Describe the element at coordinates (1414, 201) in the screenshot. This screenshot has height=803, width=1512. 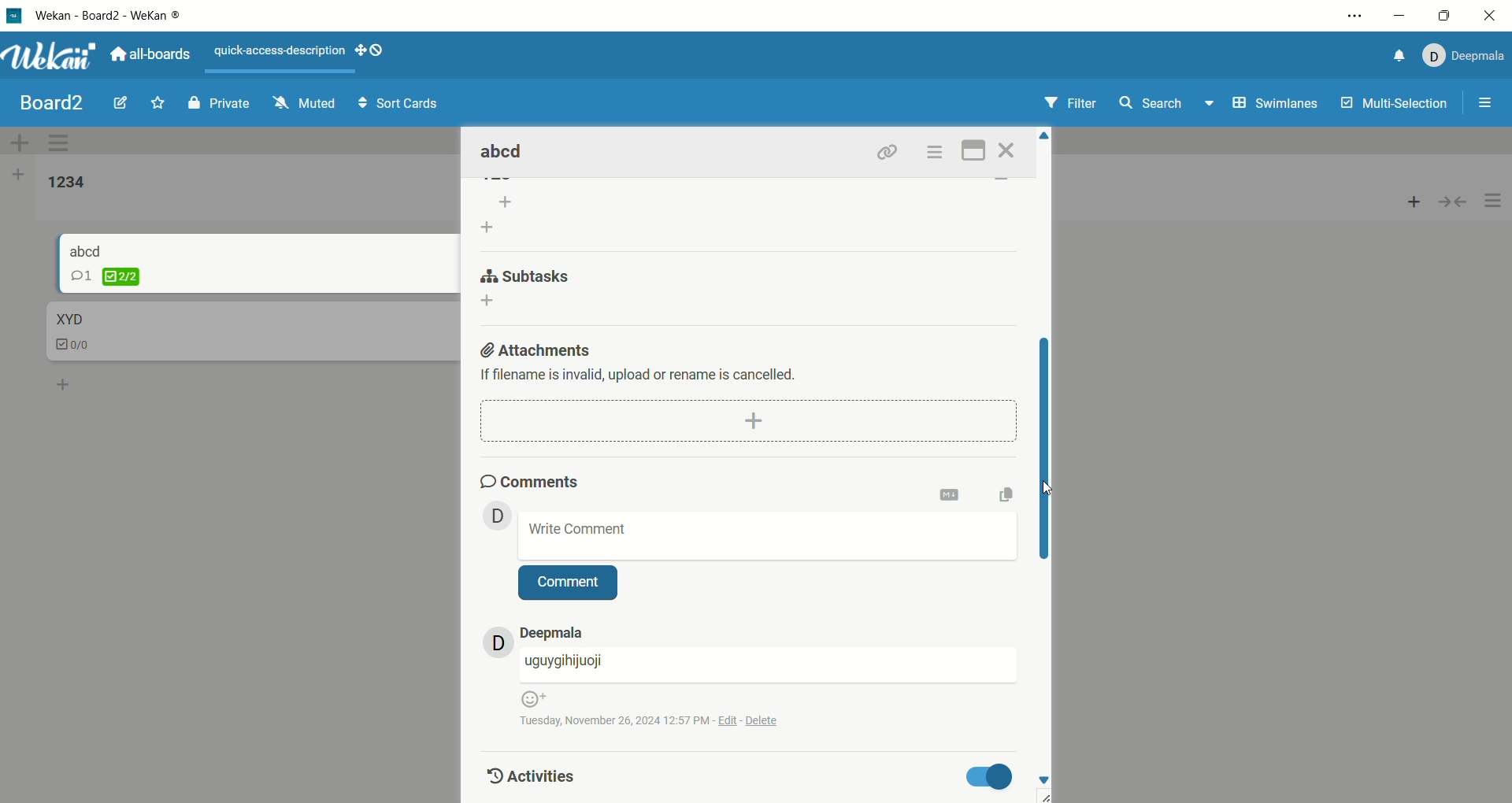
I see `add` at that location.